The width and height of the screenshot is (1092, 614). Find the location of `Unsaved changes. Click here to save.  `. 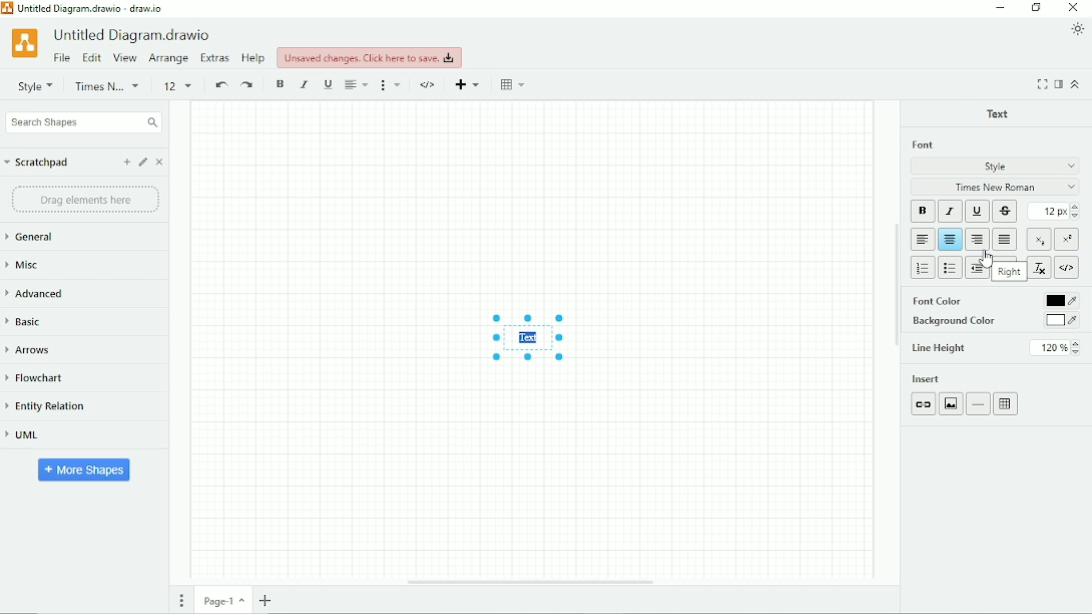

Unsaved changes. Click here to save.   is located at coordinates (369, 57).